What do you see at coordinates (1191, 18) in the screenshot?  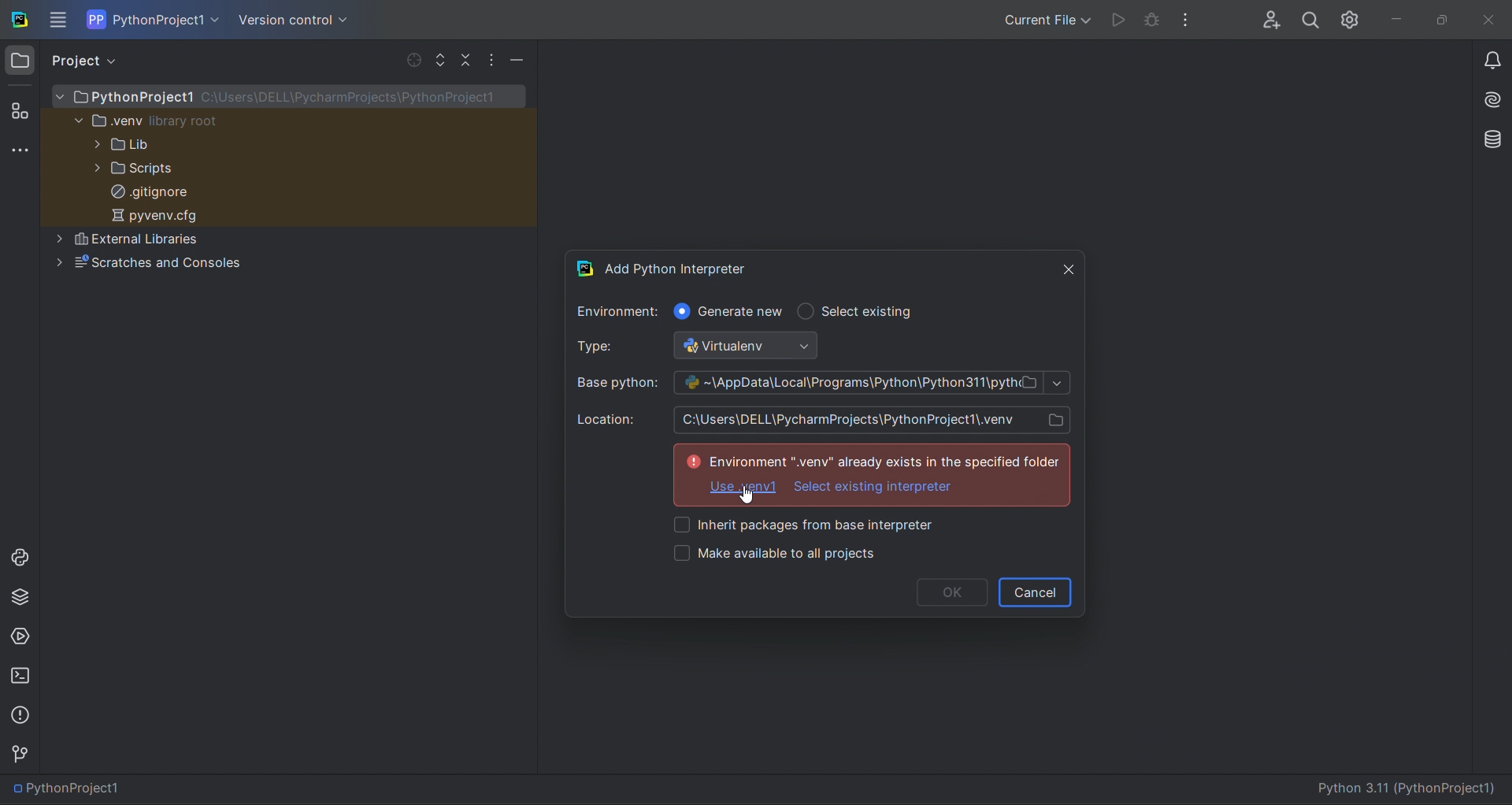 I see `more actions` at bounding box center [1191, 18].